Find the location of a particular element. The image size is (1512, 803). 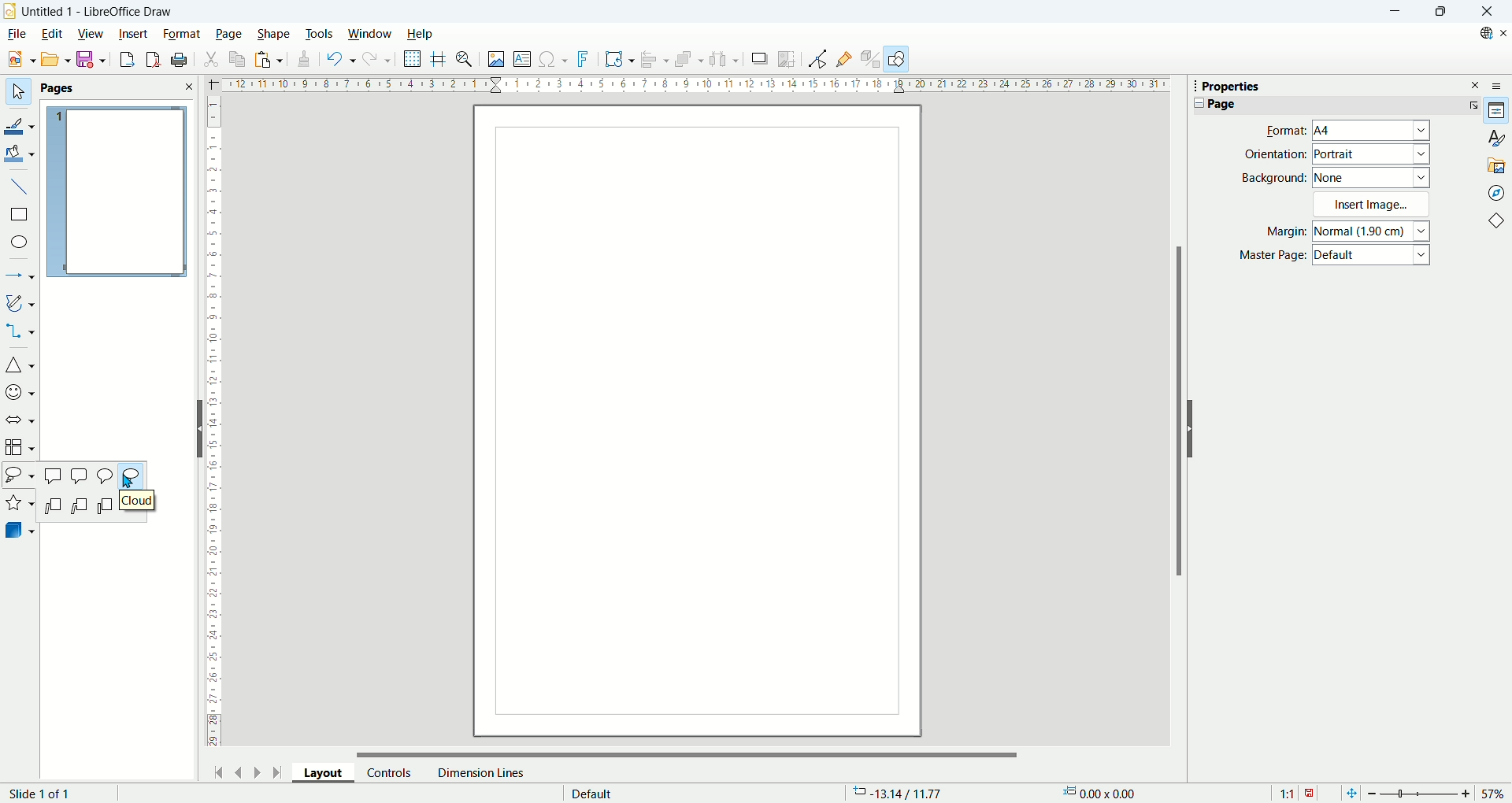

helpline is located at coordinates (439, 59).